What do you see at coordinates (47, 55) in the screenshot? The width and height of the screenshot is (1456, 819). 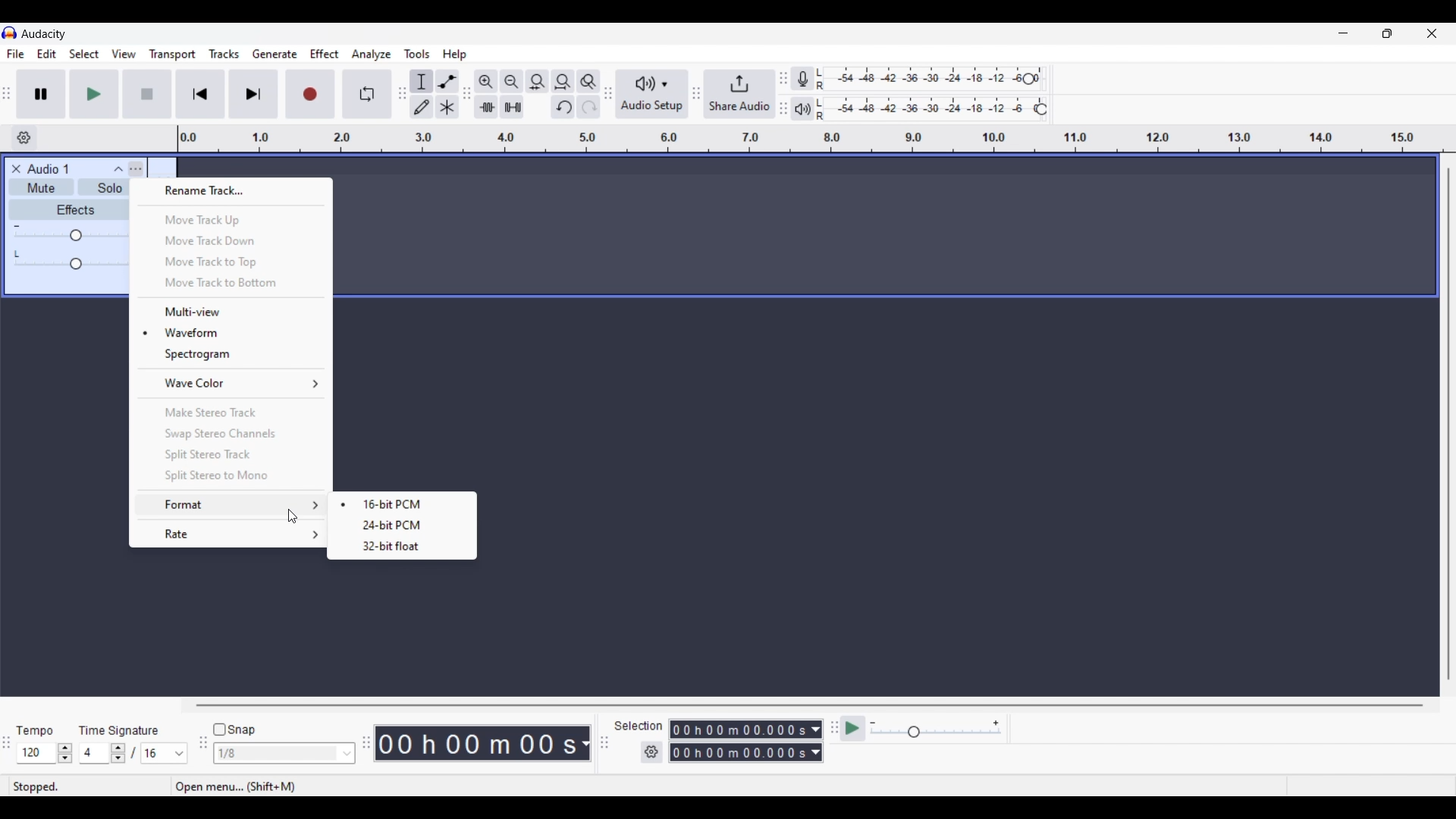 I see `Edit menu` at bounding box center [47, 55].